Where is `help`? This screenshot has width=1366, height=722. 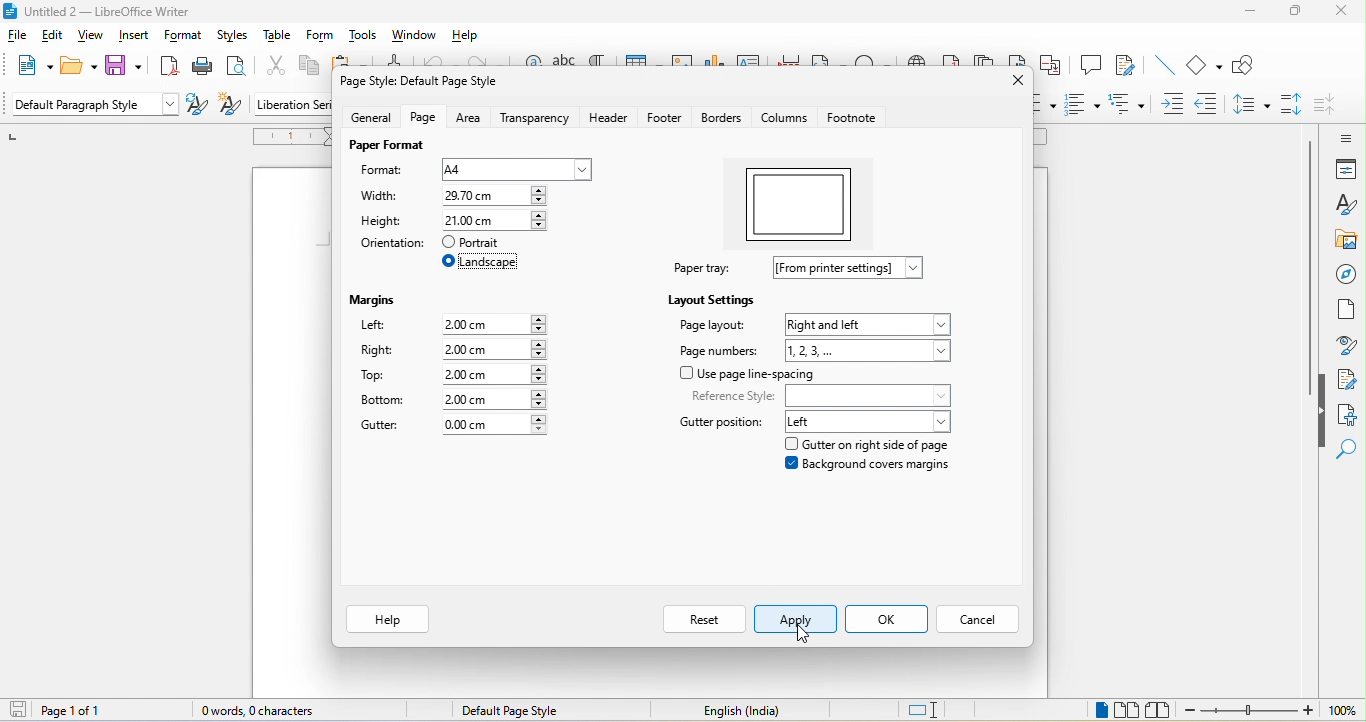
help is located at coordinates (470, 36).